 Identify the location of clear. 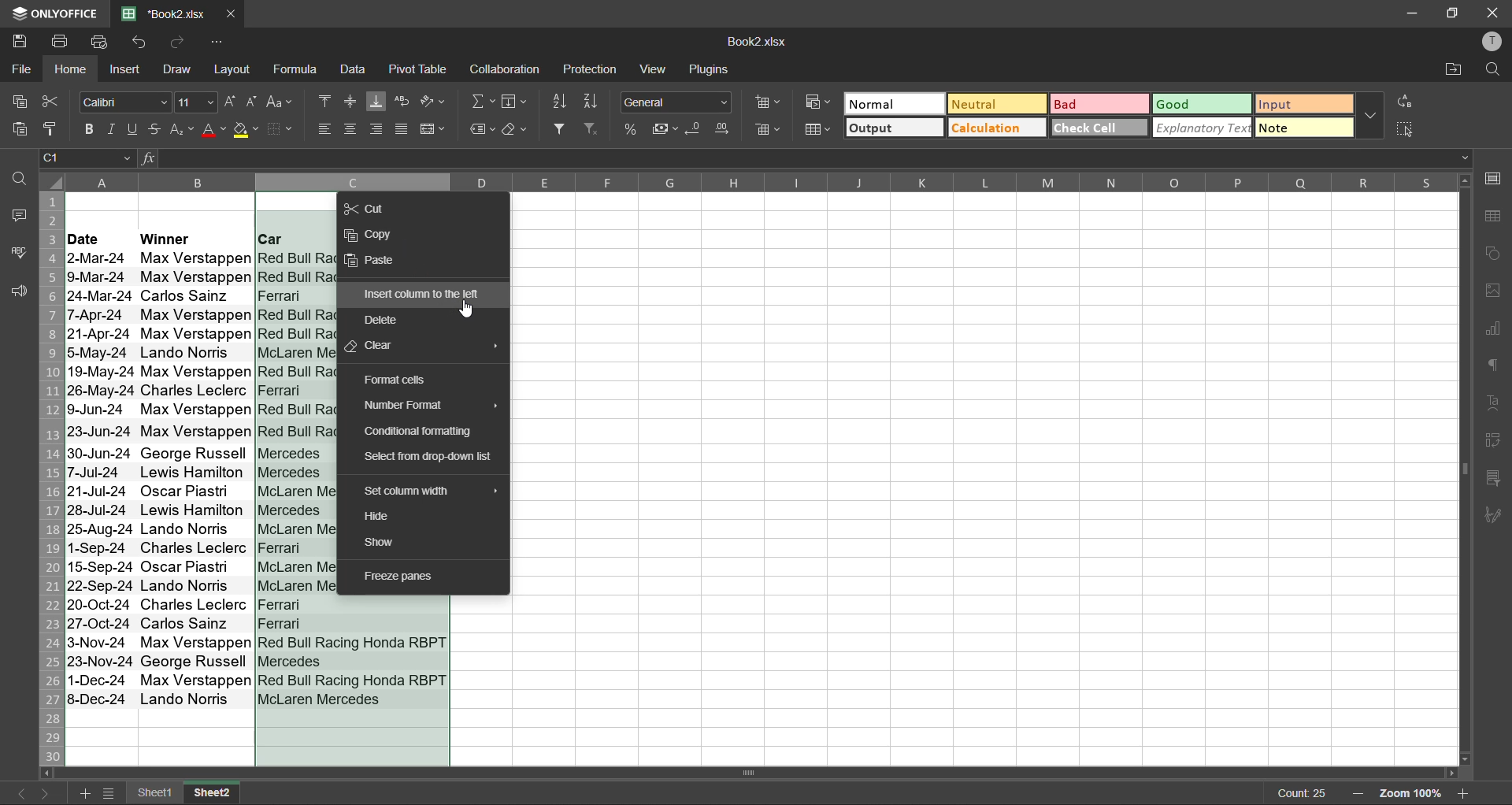
(372, 345).